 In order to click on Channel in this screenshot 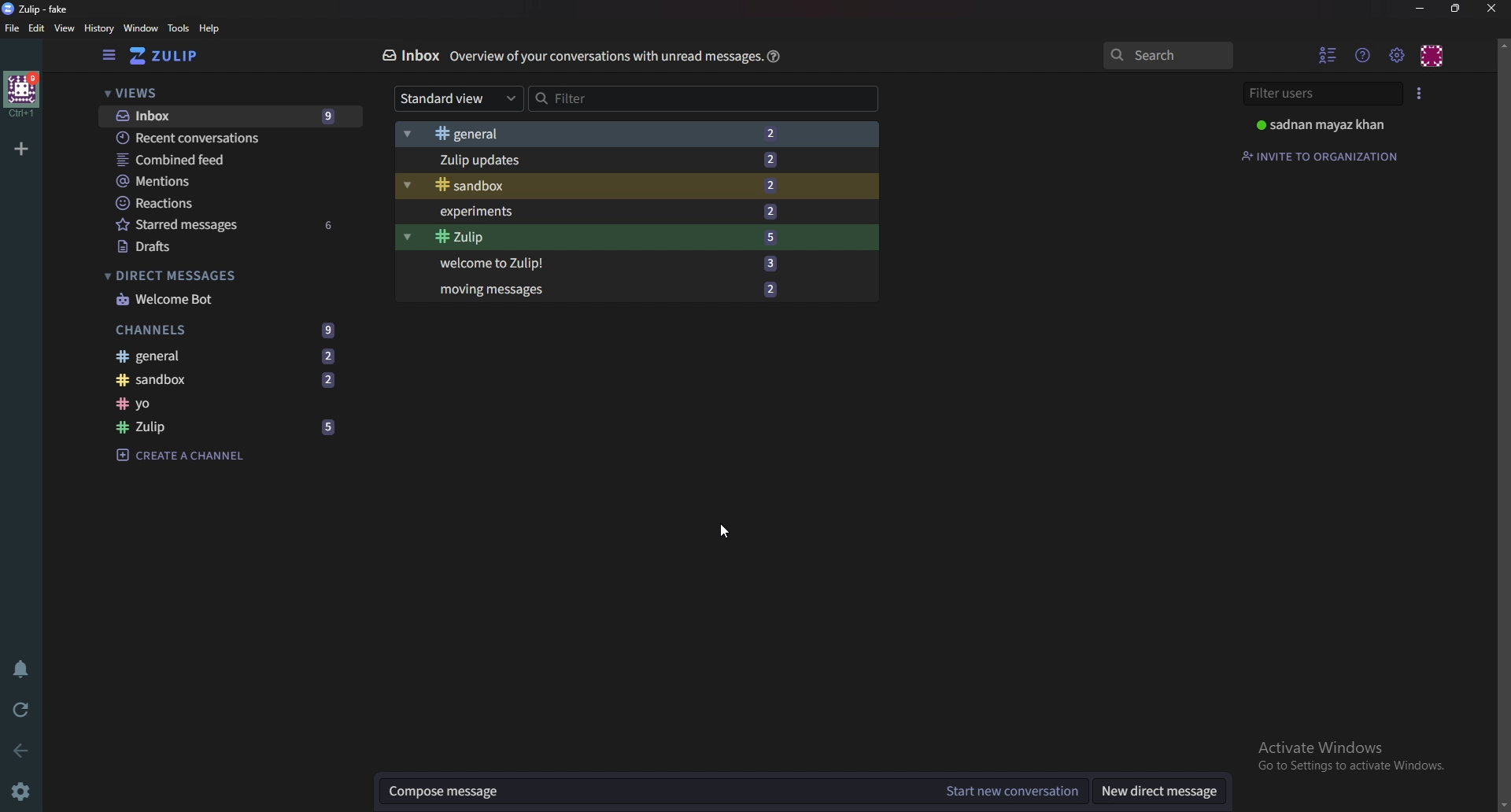, I will do `click(228, 402)`.